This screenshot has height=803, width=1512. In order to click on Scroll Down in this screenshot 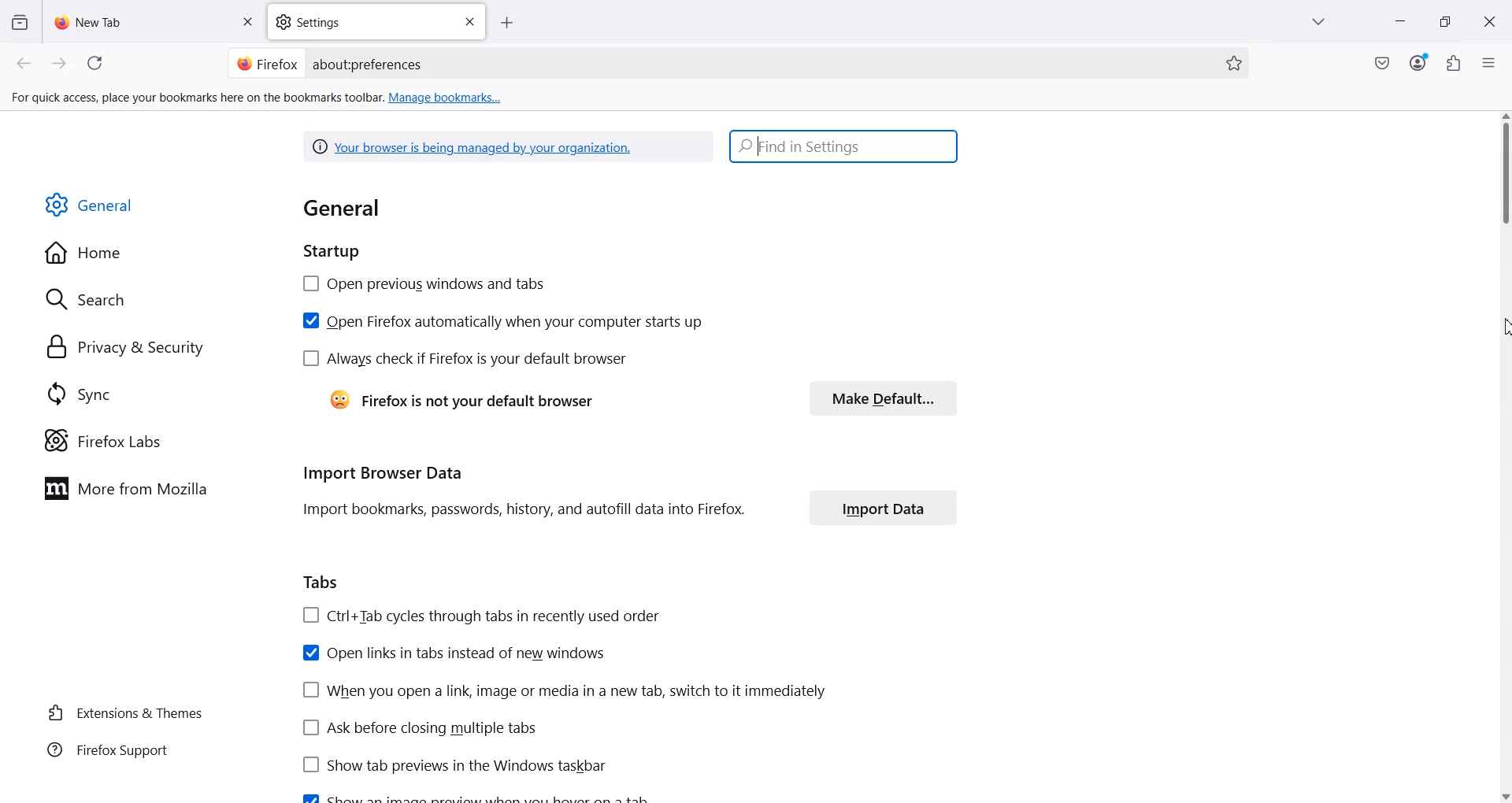, I will do `click(1503, 793)`.